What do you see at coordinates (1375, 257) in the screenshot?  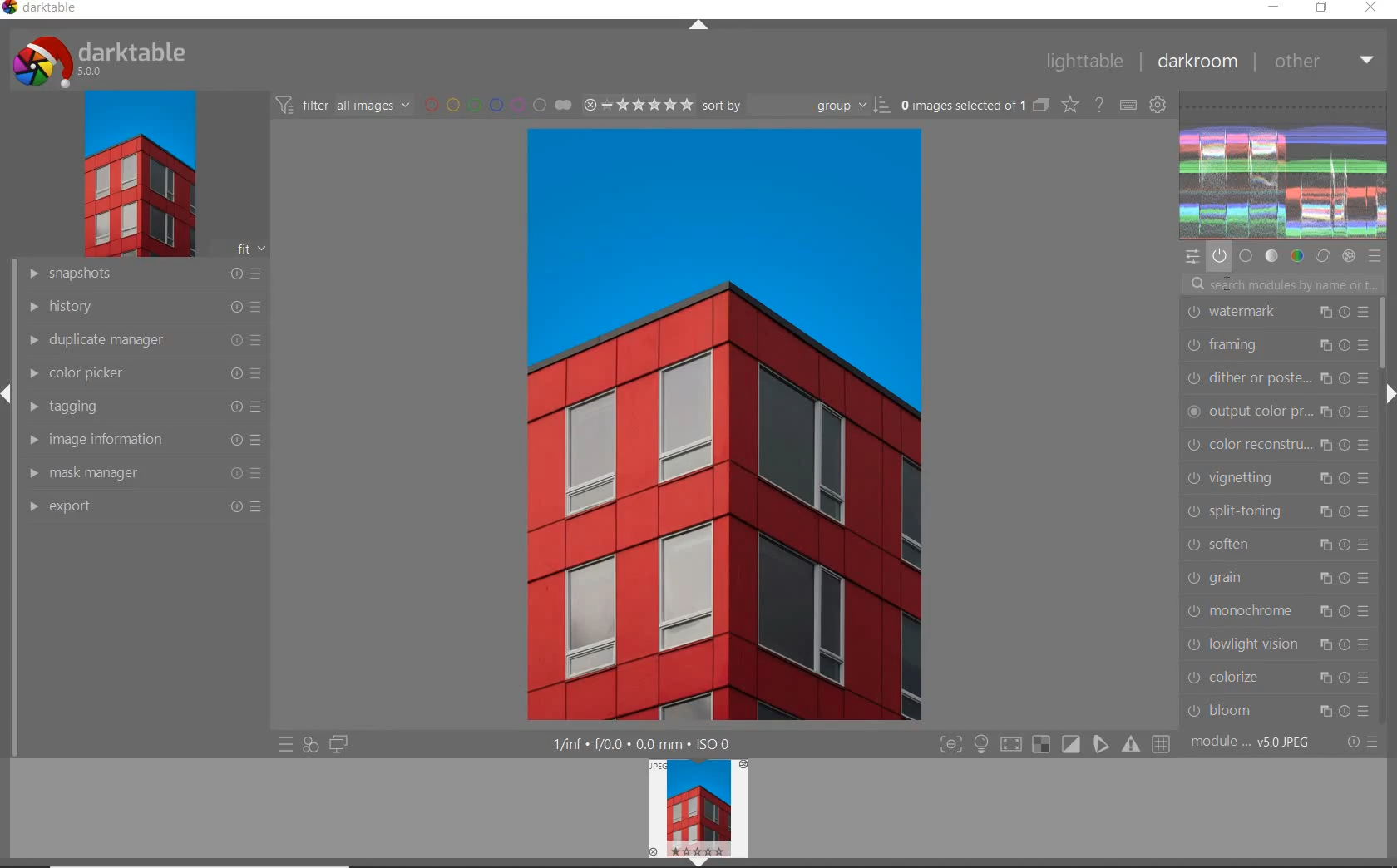 I see `preset` at bounding box center [1375, 257].